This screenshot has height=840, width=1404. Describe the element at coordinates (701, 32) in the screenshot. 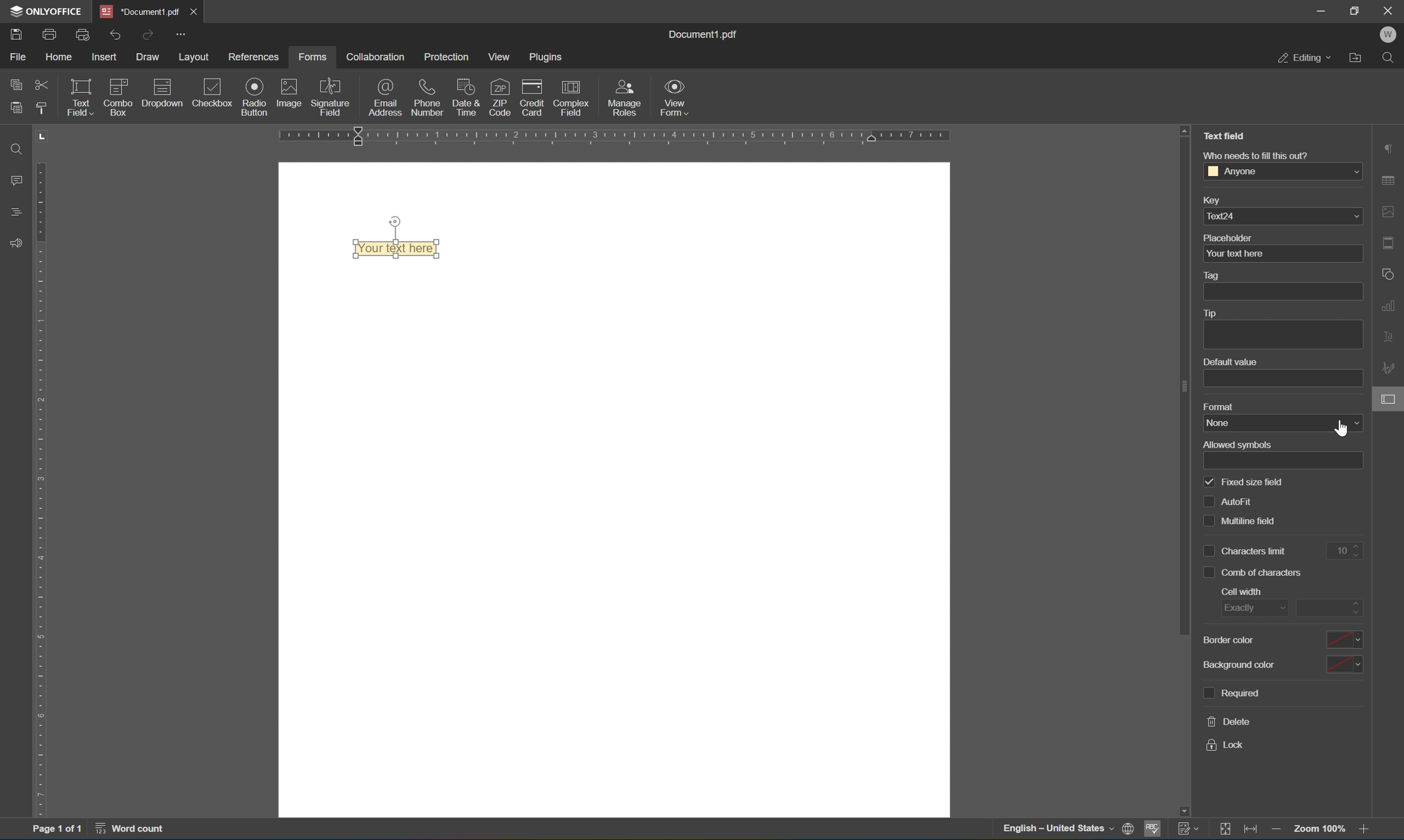

I see `document1.pdf` at that location.